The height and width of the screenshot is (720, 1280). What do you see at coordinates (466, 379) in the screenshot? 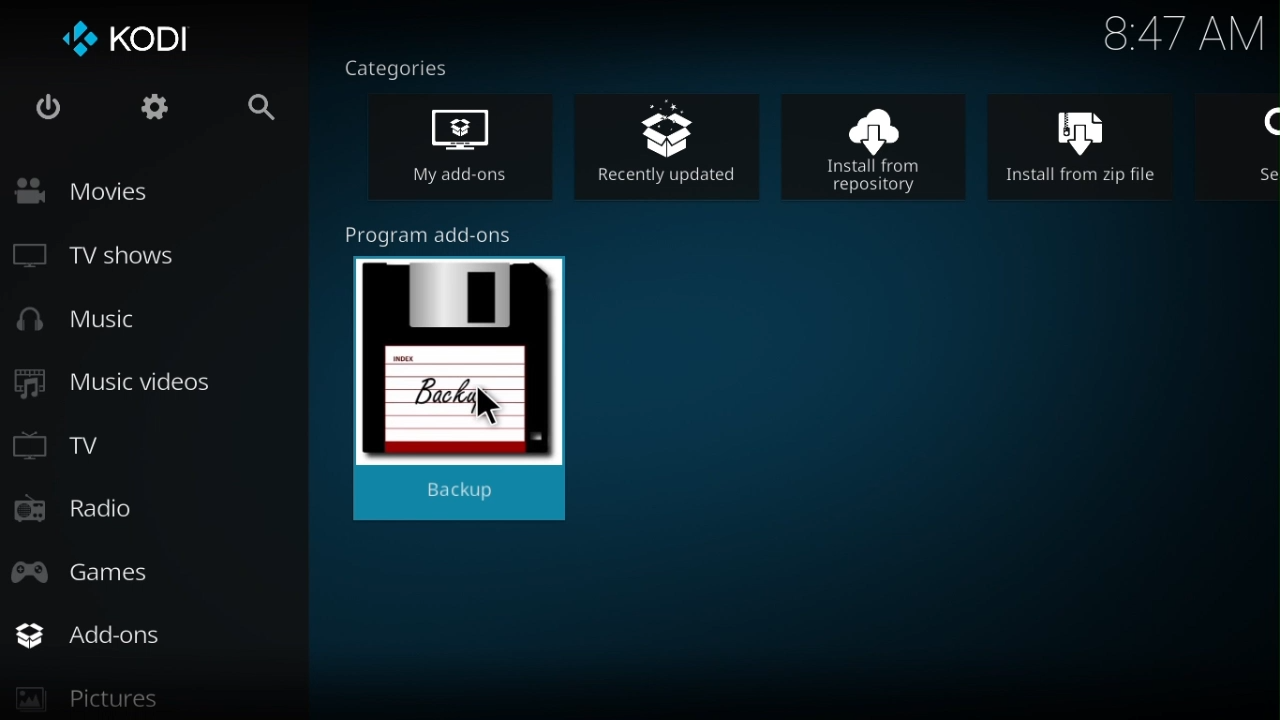
I see `backup add-on` at bounding box center [466, 379].